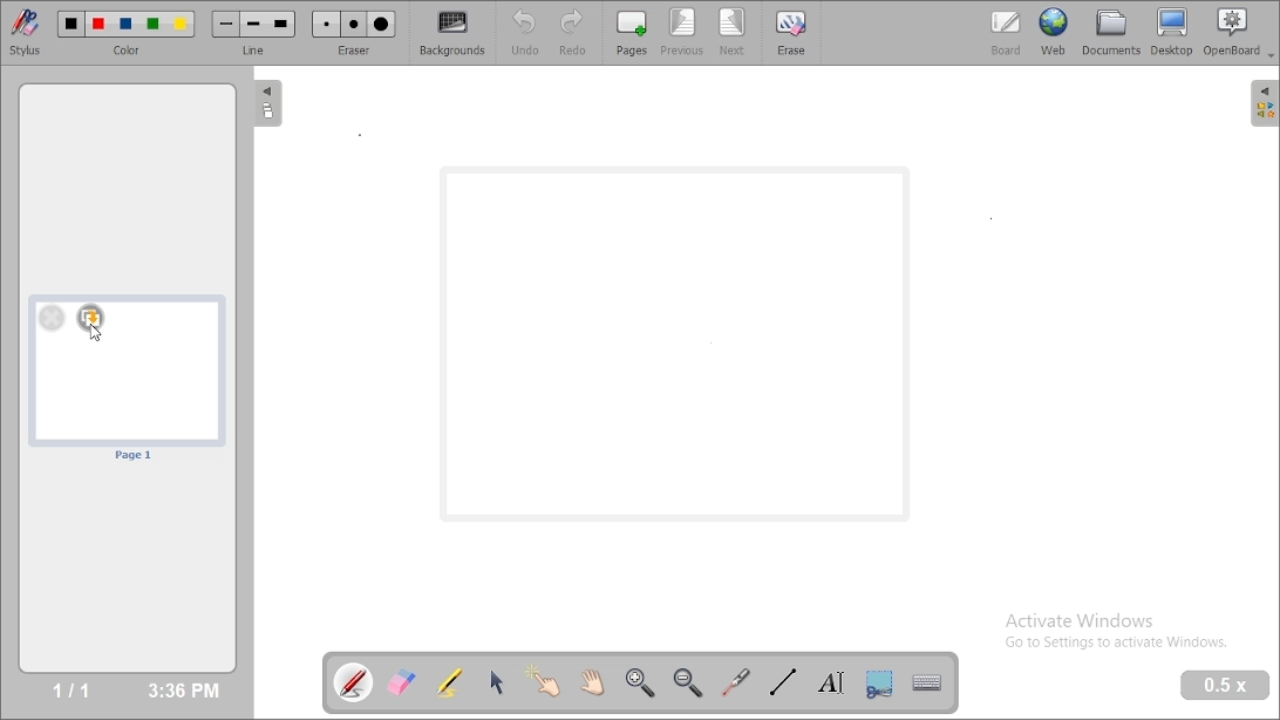 This screenshot has width=1280, height=720. What do you see at coordinates (682, 31) in the screenshot?
I see `previous` at bounding box center [682, 31].